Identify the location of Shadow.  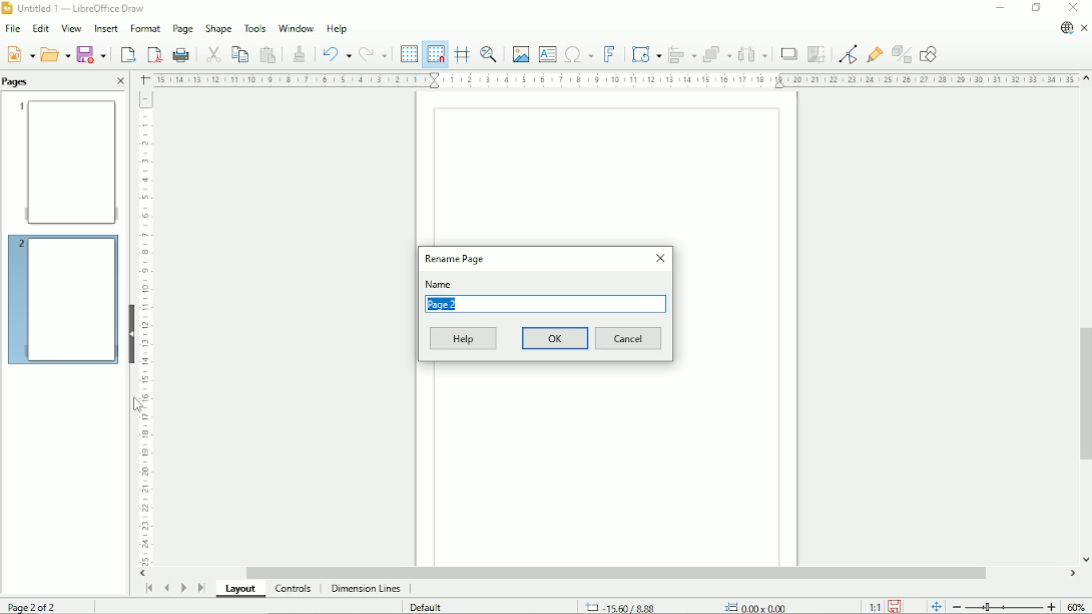
(788, 54).